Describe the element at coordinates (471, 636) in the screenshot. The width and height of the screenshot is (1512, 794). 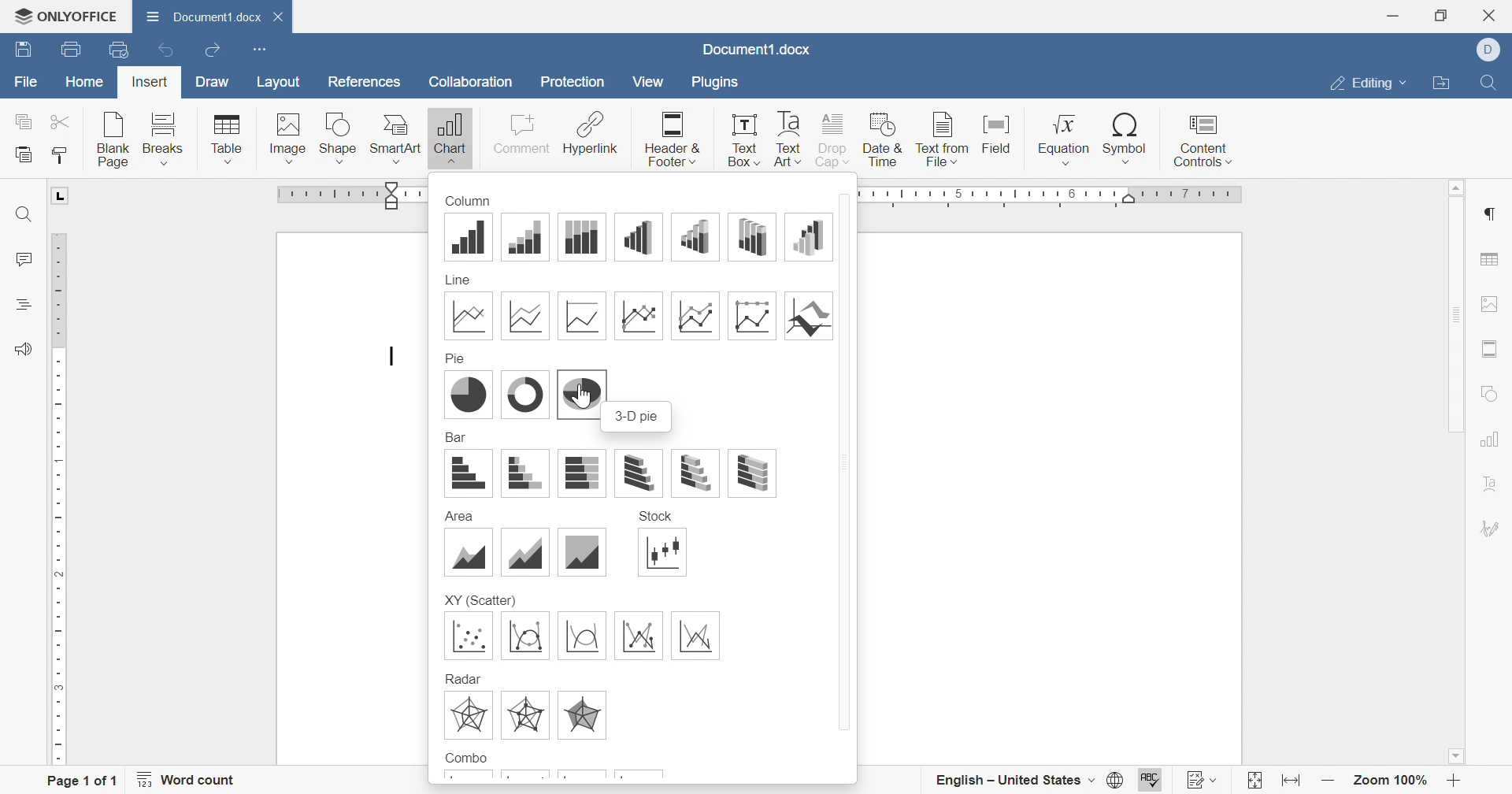
I see `Scatter` at that location.